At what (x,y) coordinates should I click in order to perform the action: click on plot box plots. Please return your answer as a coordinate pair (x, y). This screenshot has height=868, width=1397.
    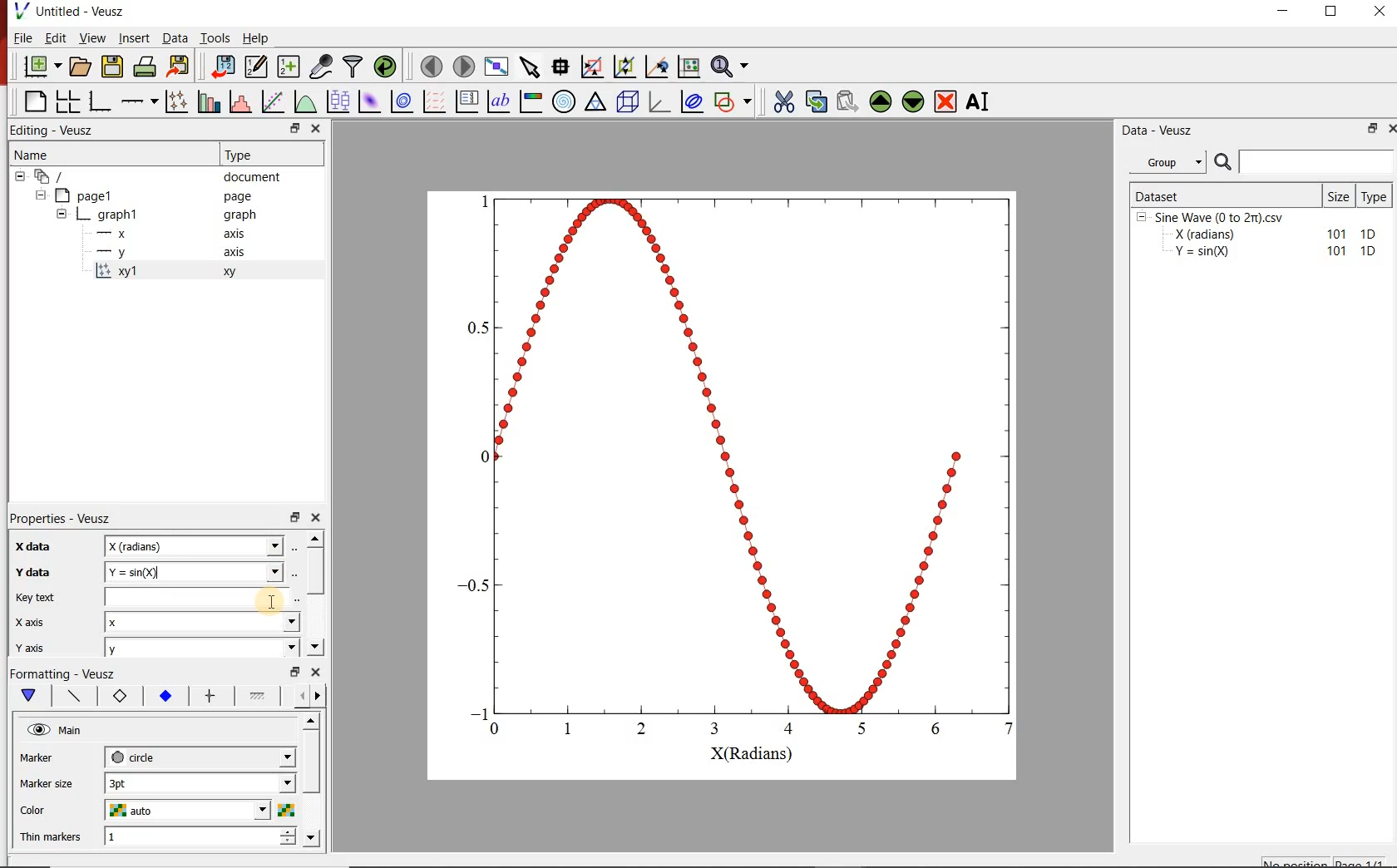
    Looking at the image, I should click on (339, 102).